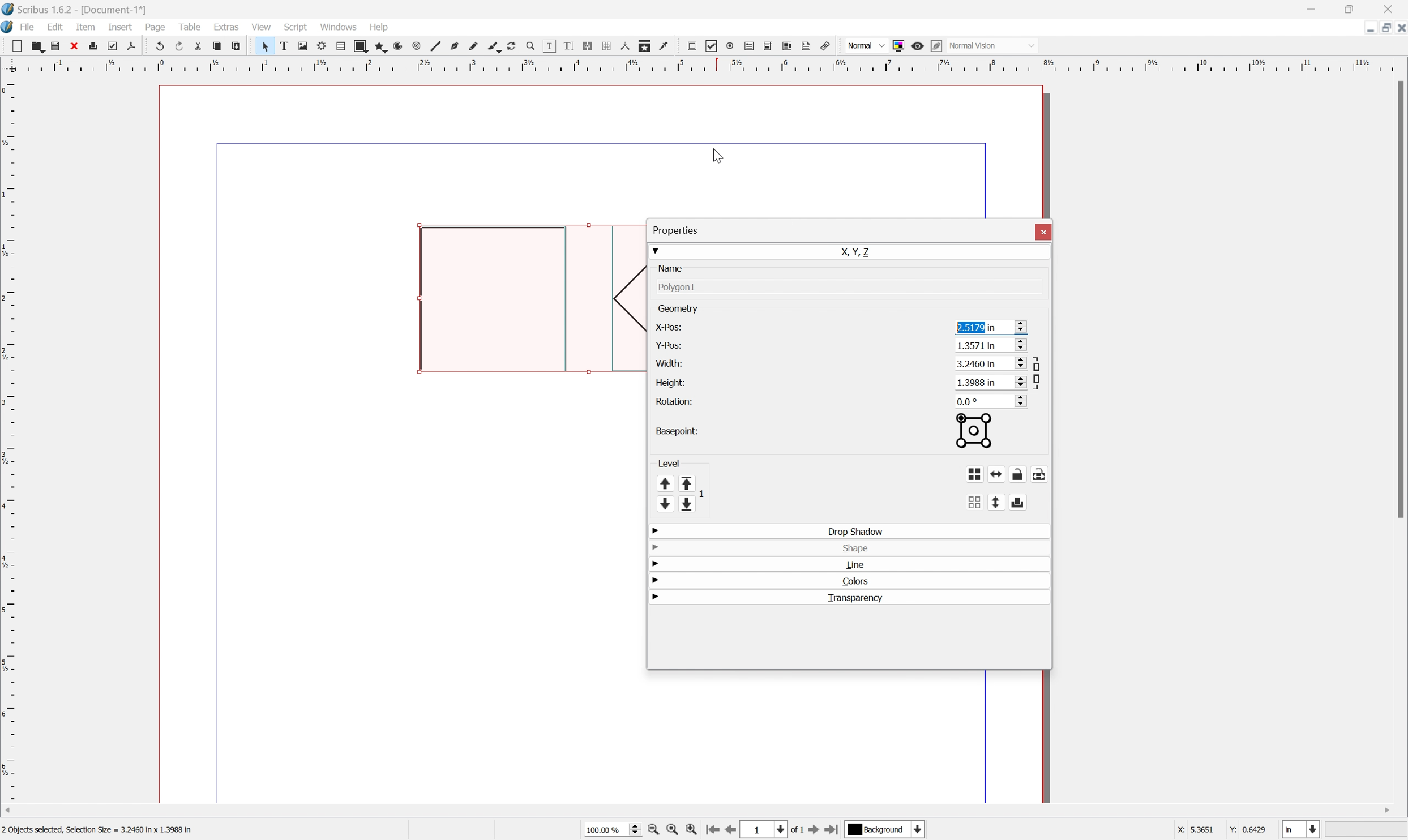 The height and width of the screenshot is (840, 1408). What do you see at coordinates (235, 46) in the screenshot?
I see `paste` at bounding box center [235, 46].